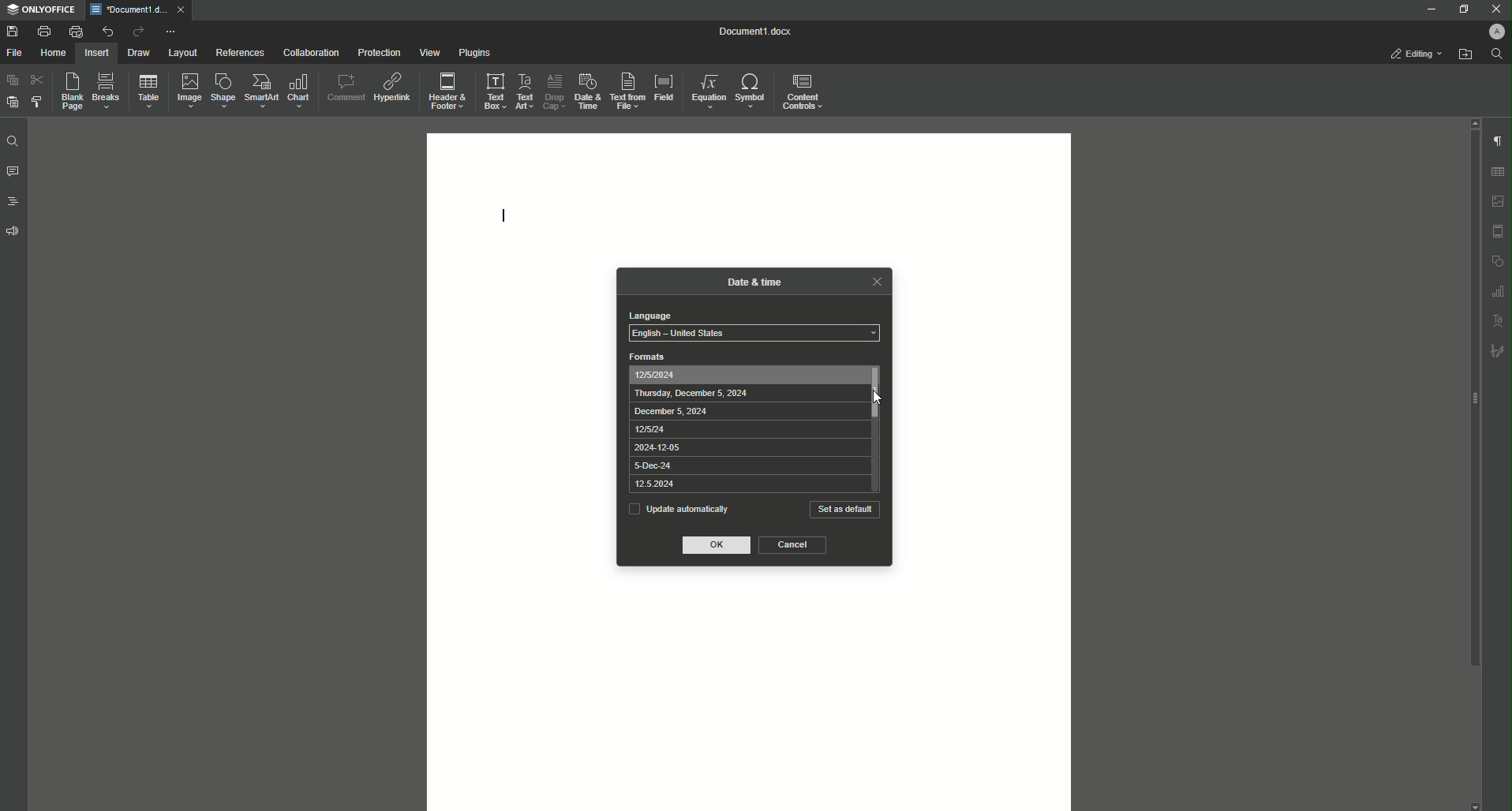  Describe the element at coordinates (259, 92) in the screenshot. I see `SmartArt` at that location.